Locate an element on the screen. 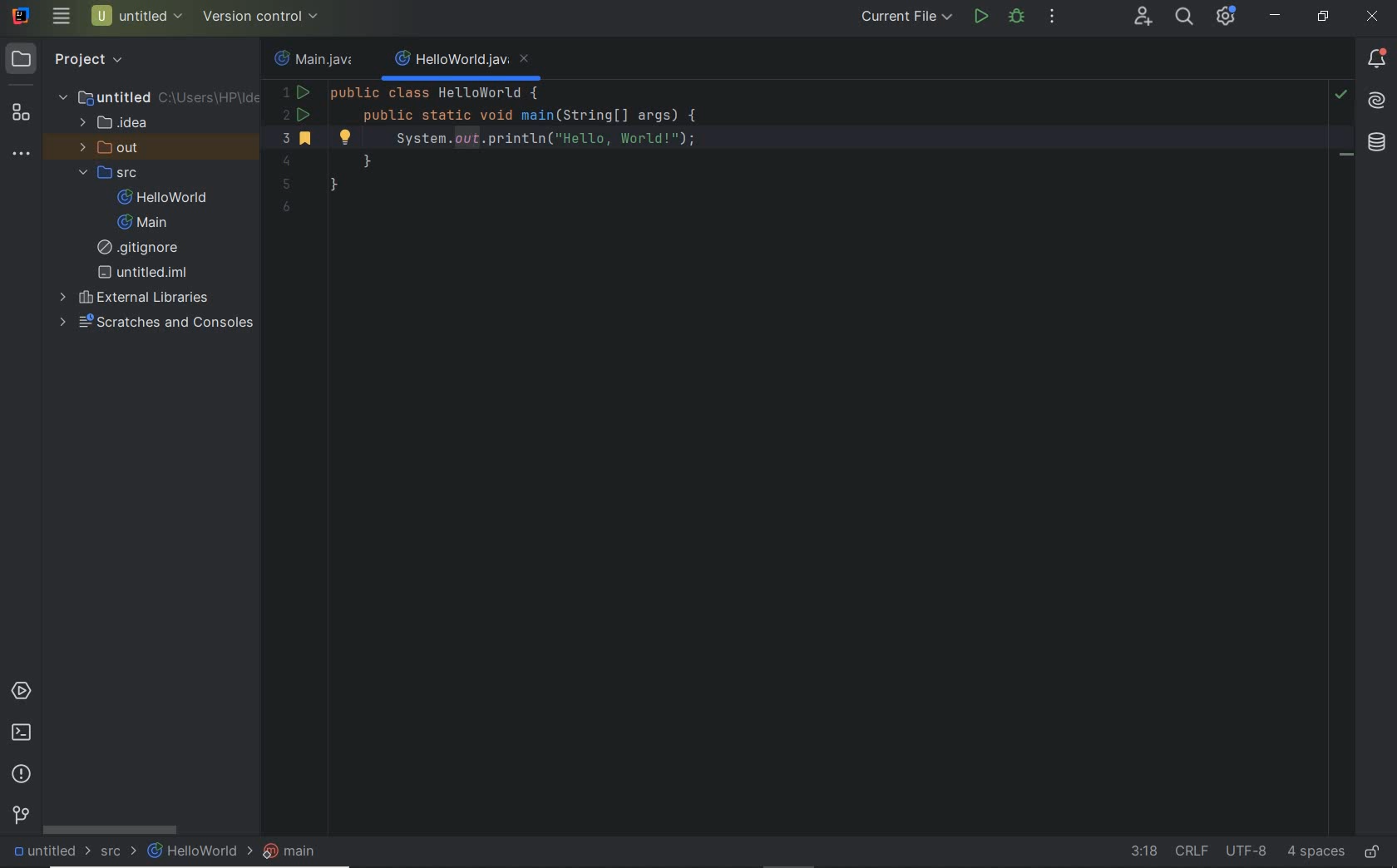  cursor is located at coordinates (443, 142).